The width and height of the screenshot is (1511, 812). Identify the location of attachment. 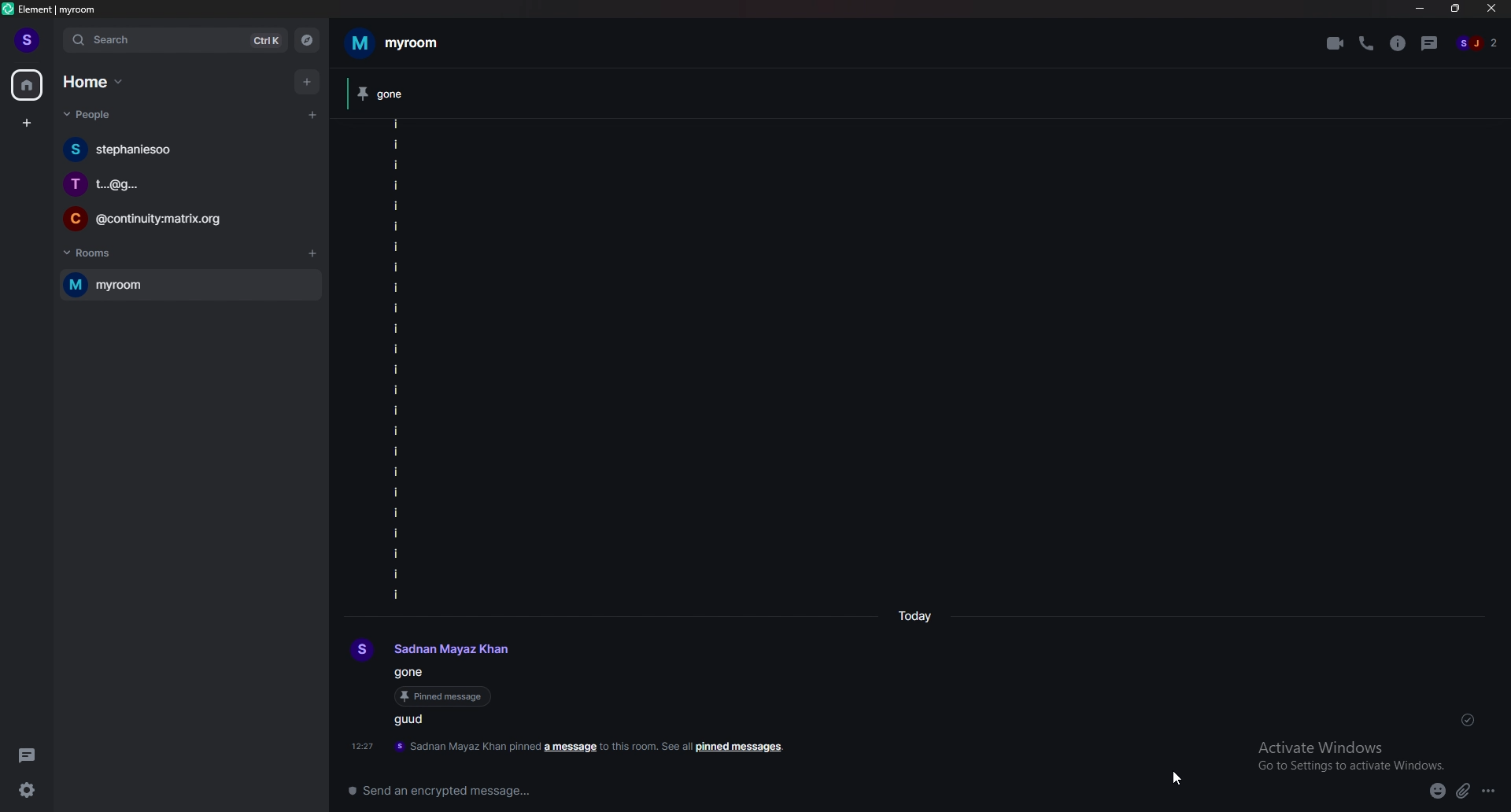
(1465, 791).